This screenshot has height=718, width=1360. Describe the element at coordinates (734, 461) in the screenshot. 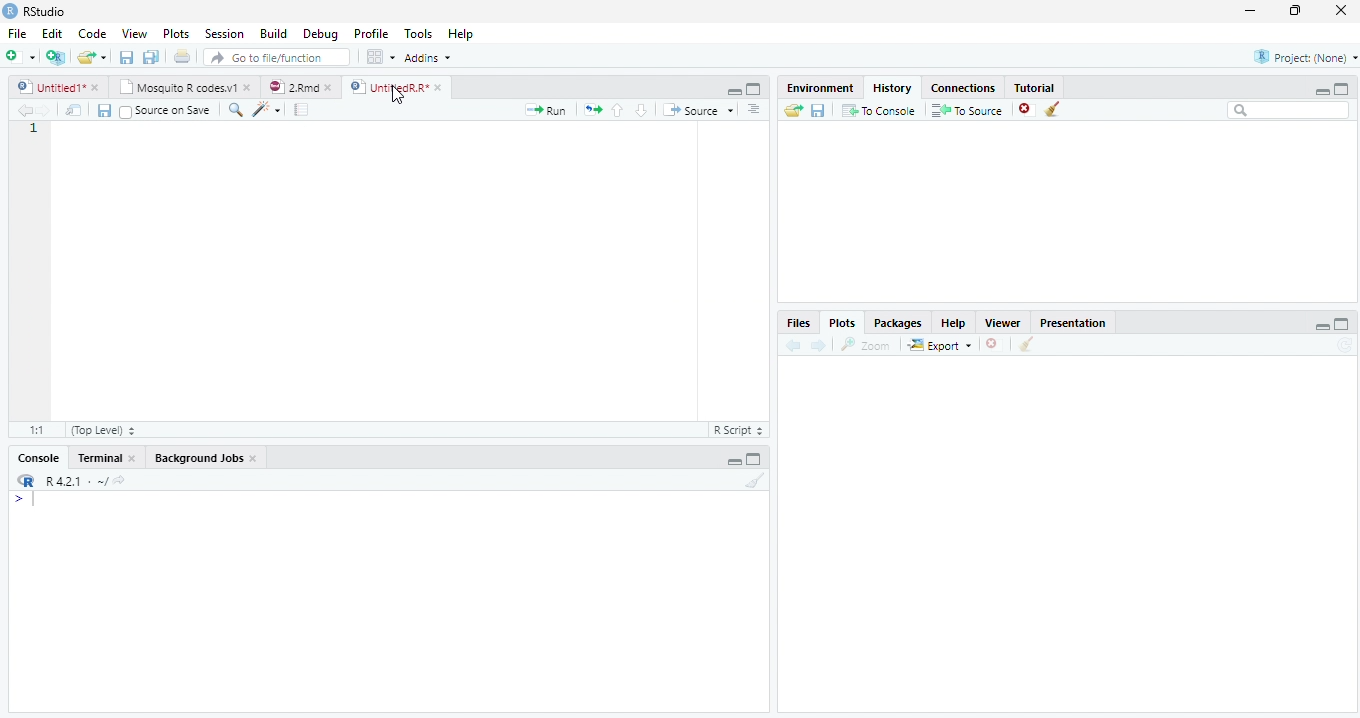

I see `Minimize` at that location.